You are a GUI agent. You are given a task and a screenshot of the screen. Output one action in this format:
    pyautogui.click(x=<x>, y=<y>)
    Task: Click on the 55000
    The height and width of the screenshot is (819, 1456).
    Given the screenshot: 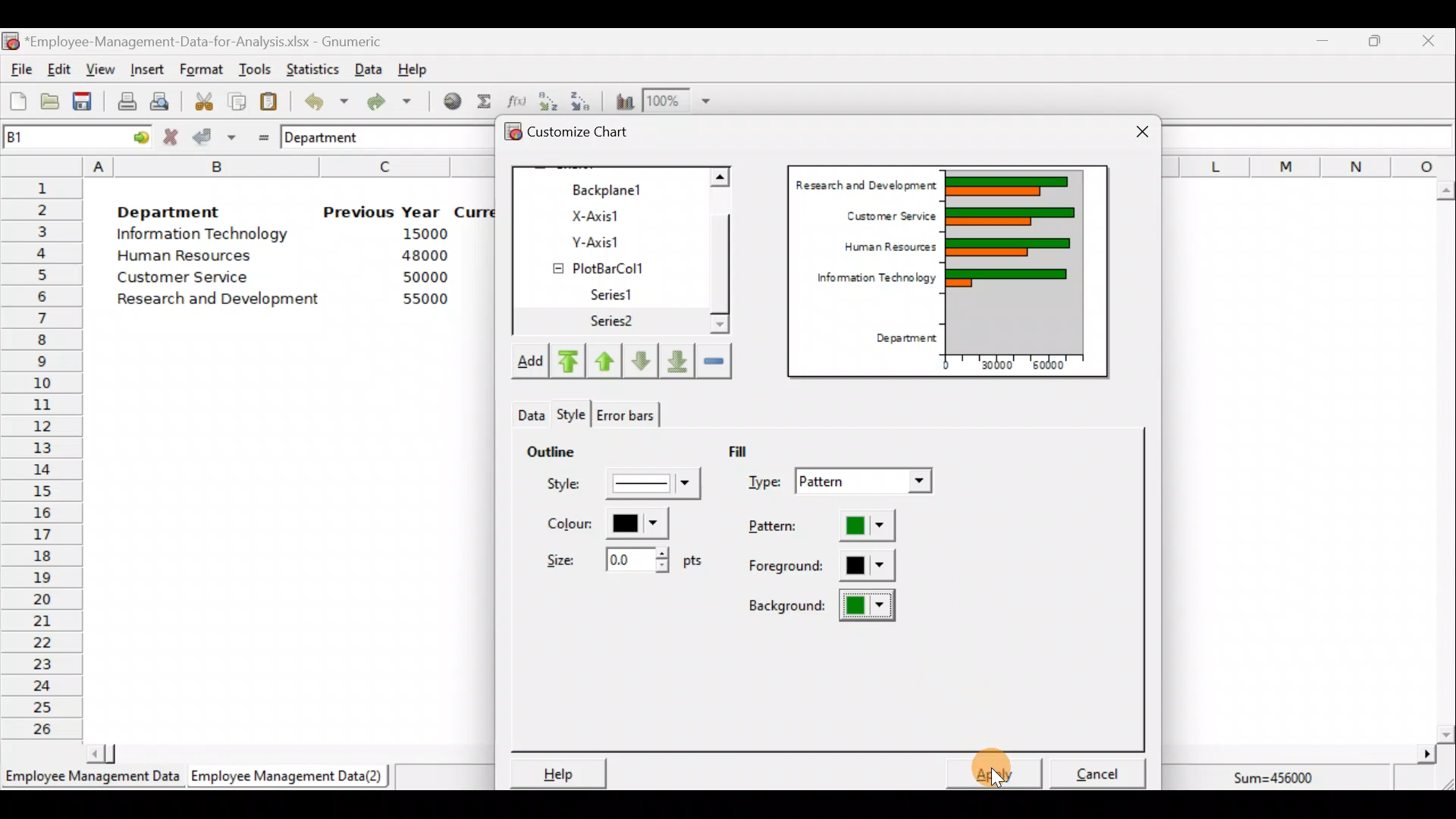 What is the action you would take?
    pyautogui.click(x=426, y=299)
    